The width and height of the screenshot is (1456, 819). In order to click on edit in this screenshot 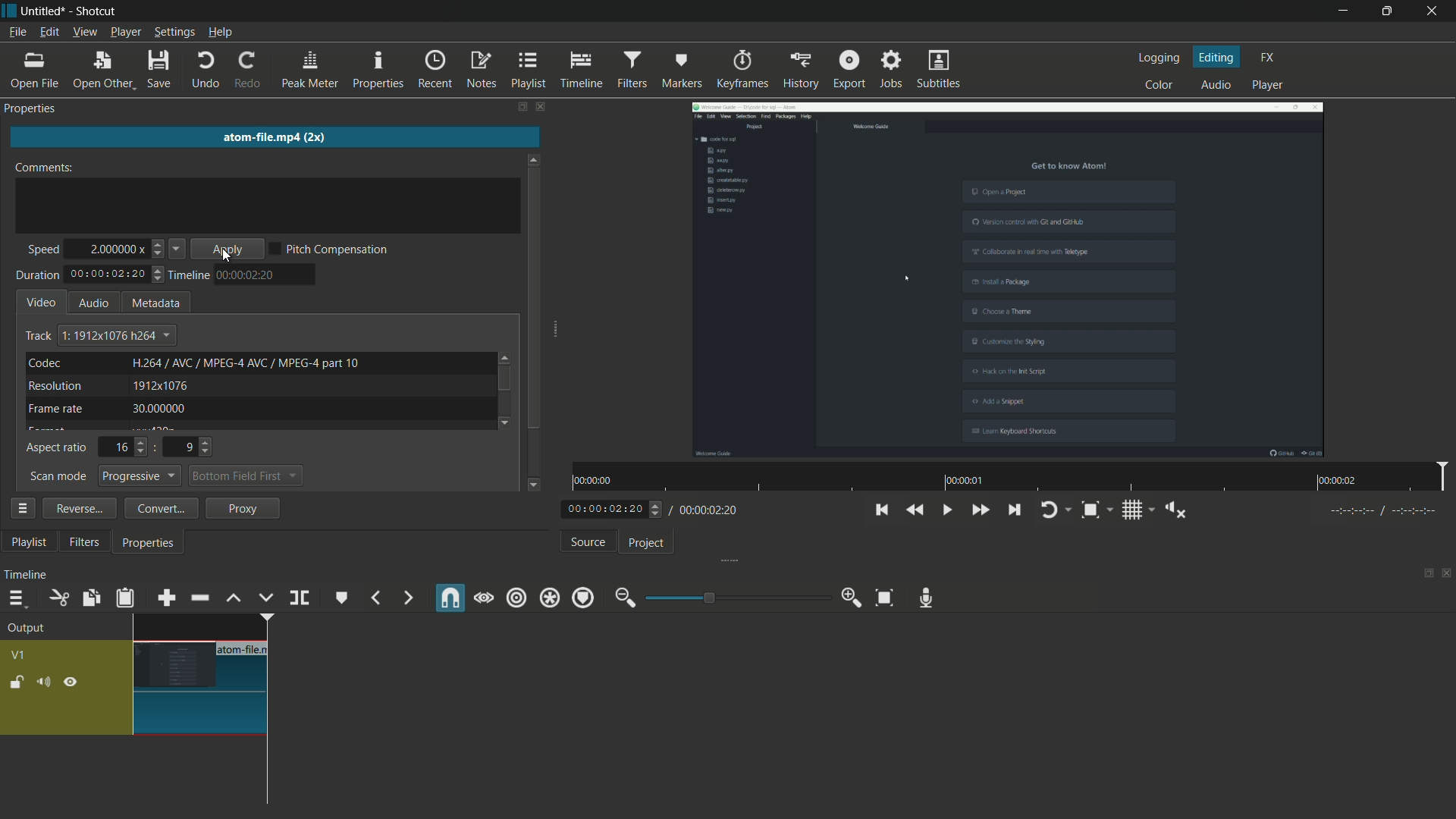, I will do `click(49, 33)`.